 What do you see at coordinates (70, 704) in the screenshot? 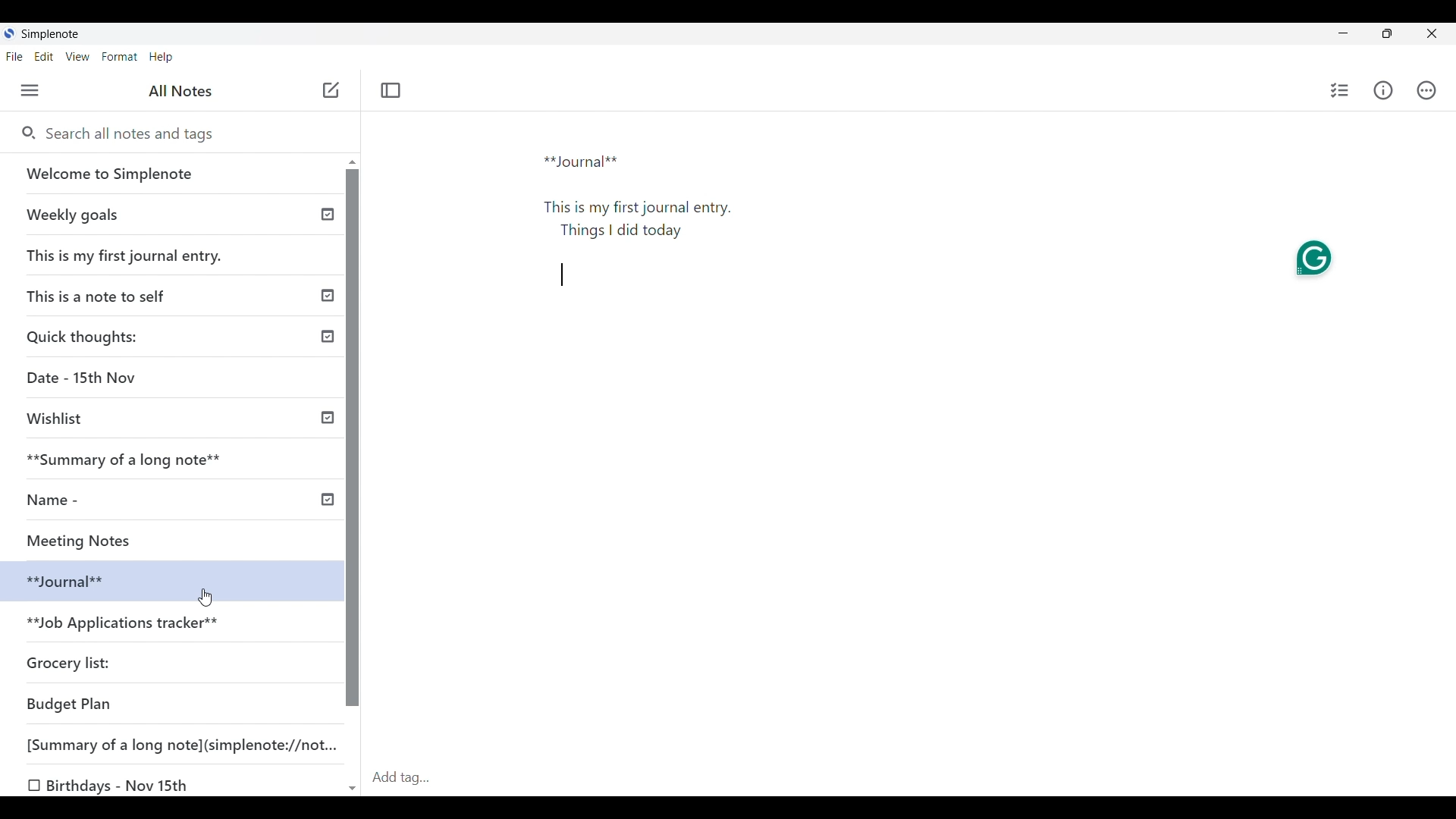
I see `Budget Plan` at bounding box center [70, 704].